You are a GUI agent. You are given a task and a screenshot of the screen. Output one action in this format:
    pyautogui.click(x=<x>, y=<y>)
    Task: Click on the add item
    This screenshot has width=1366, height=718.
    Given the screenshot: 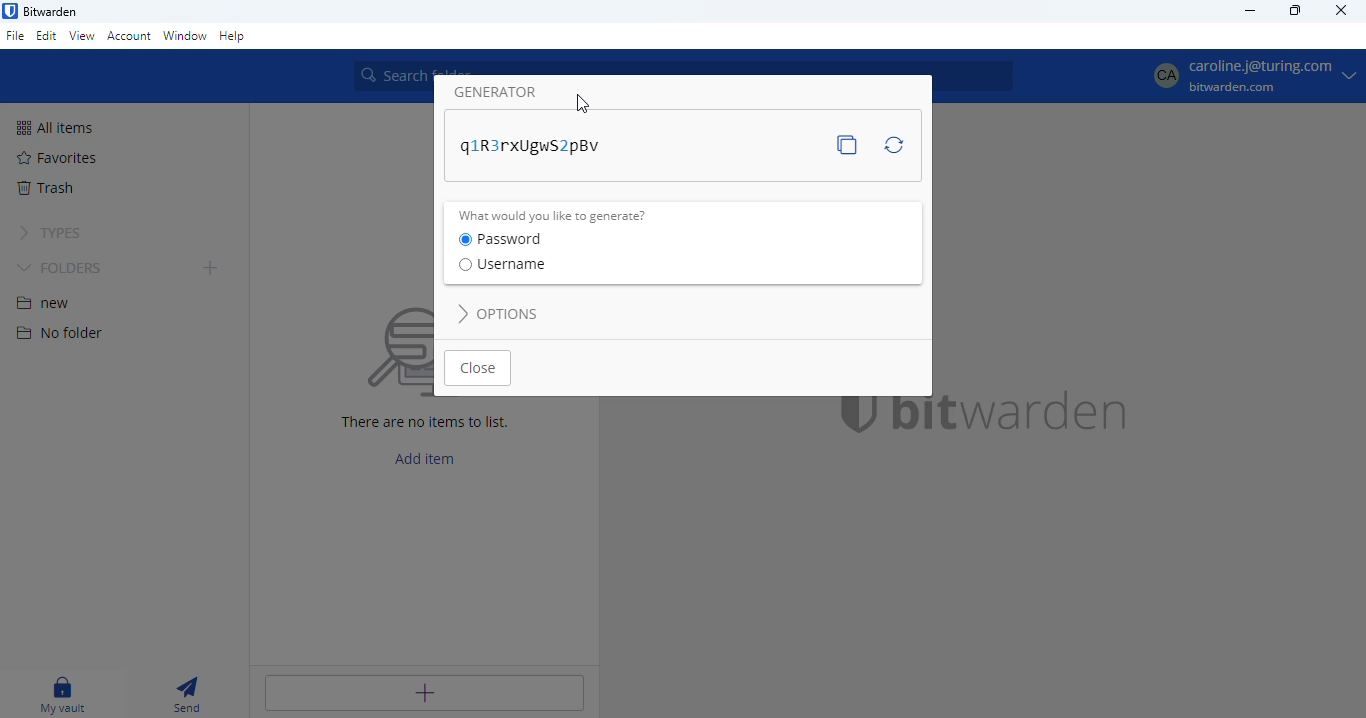 What is the action you would take?
    pyautogui.click(x=423, y=693)
    